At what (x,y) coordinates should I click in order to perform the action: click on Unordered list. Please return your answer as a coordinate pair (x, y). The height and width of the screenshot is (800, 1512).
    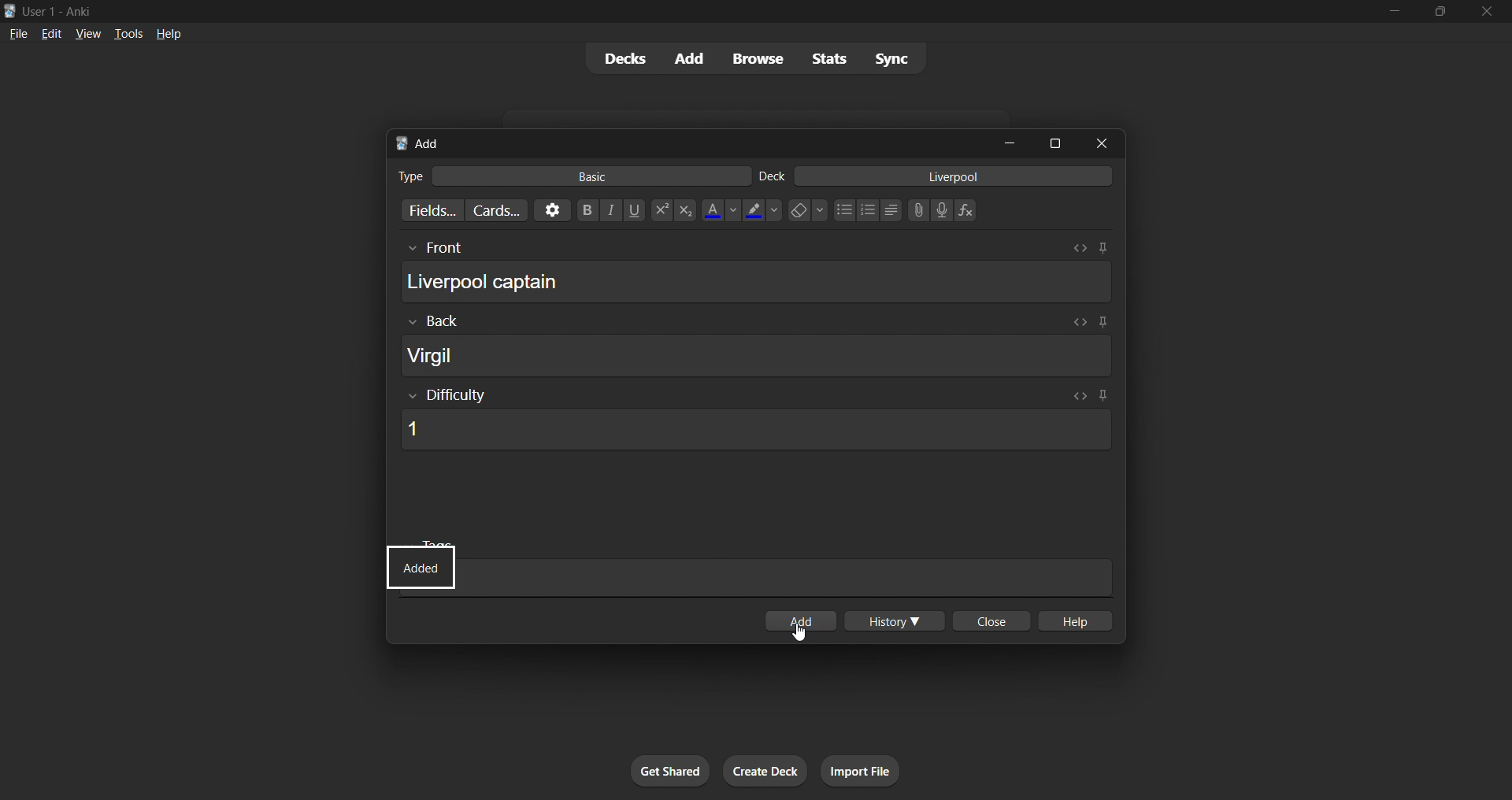
    Looking at the image, I should click on (845, 209).